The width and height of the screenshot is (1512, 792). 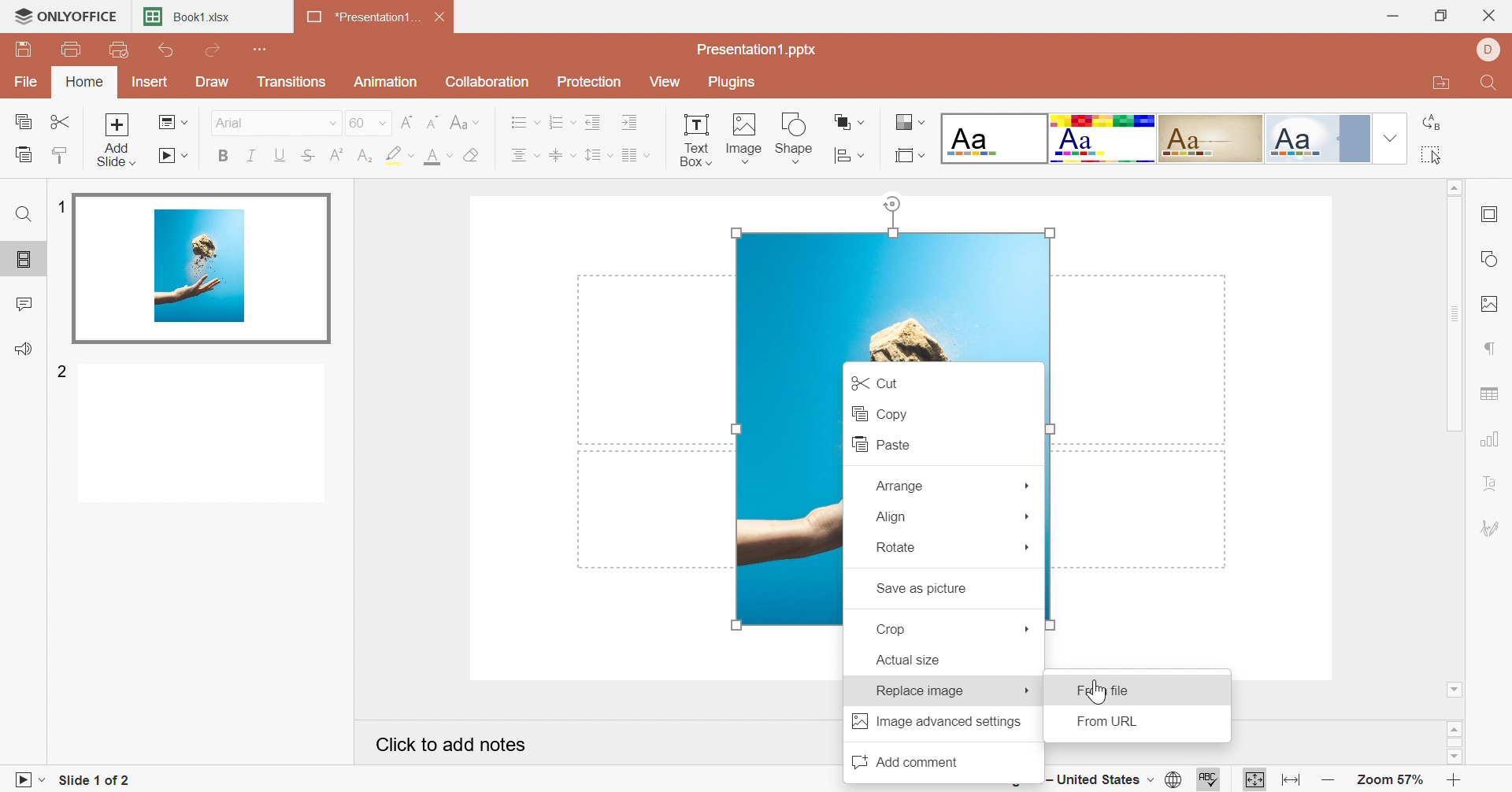 I want to click on Scroll Up, so click(x=1453, y=188).